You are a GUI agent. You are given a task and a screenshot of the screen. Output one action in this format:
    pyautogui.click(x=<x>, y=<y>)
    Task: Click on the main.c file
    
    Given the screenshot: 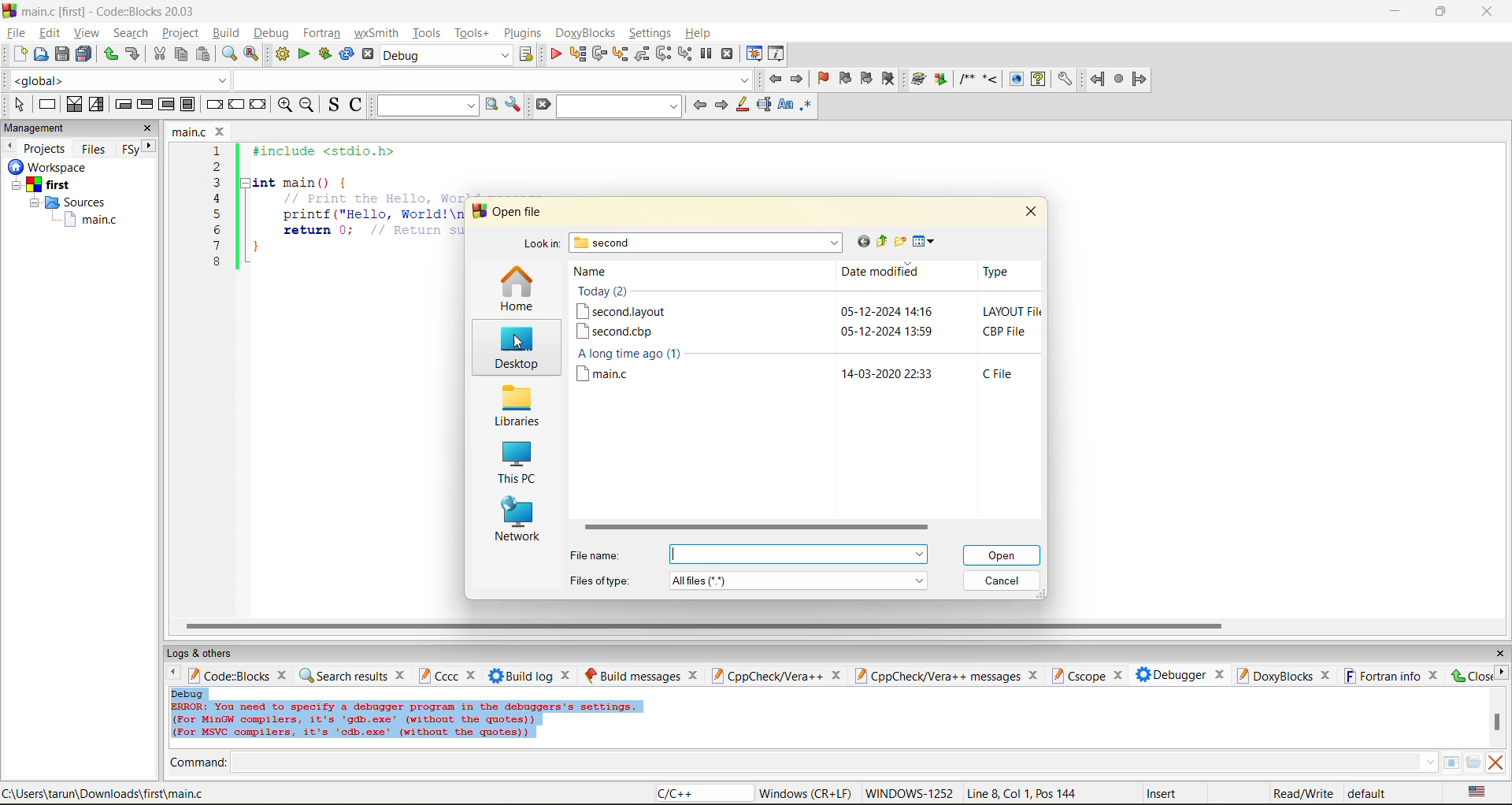 What is the action you would take?
    pyautogui.click(x=91, y=221)
    